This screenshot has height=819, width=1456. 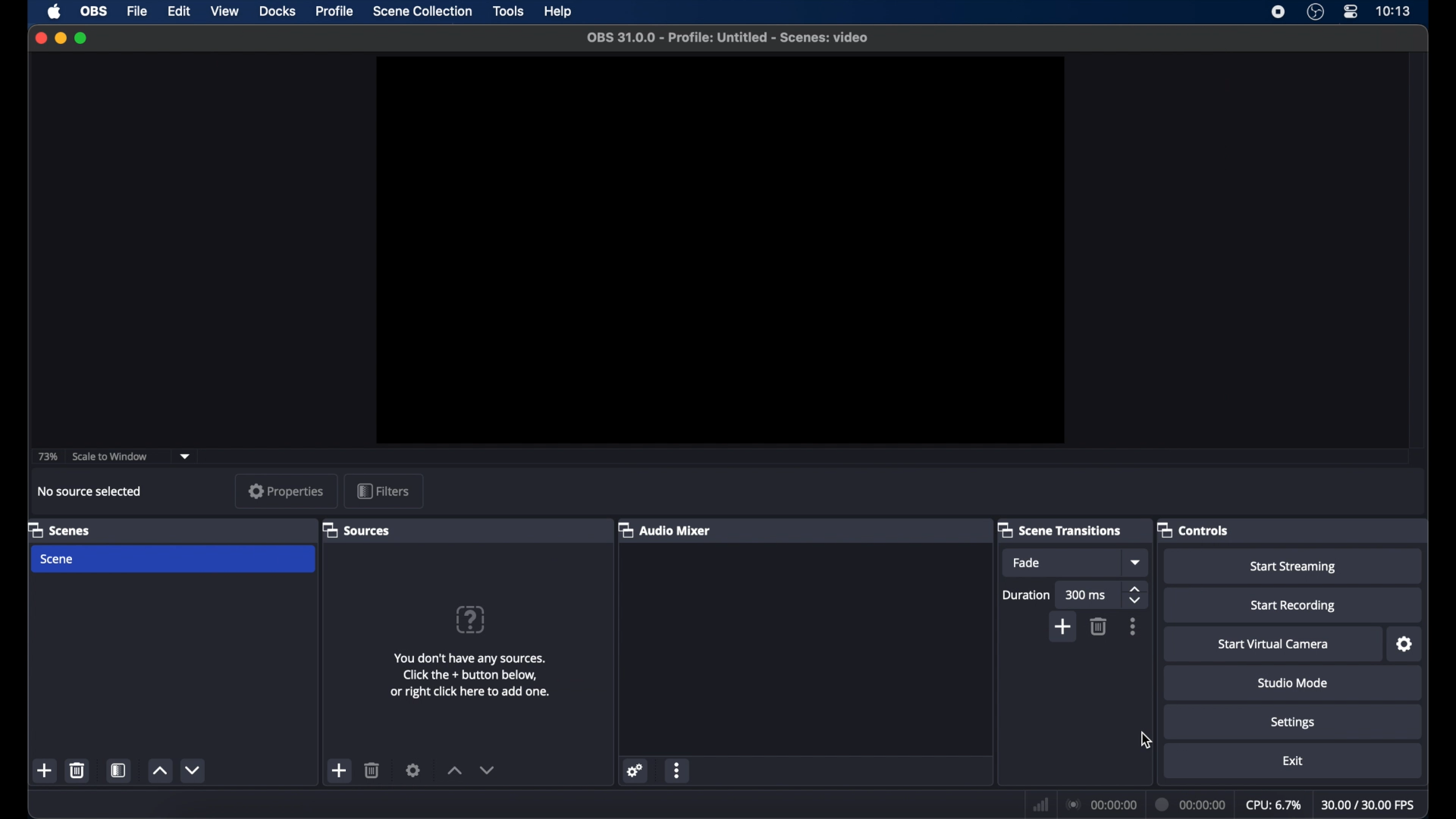 What do you see at coordinates (424, 11) in the screenshot?
I see `scene collection` at bounding box center [424, 11].